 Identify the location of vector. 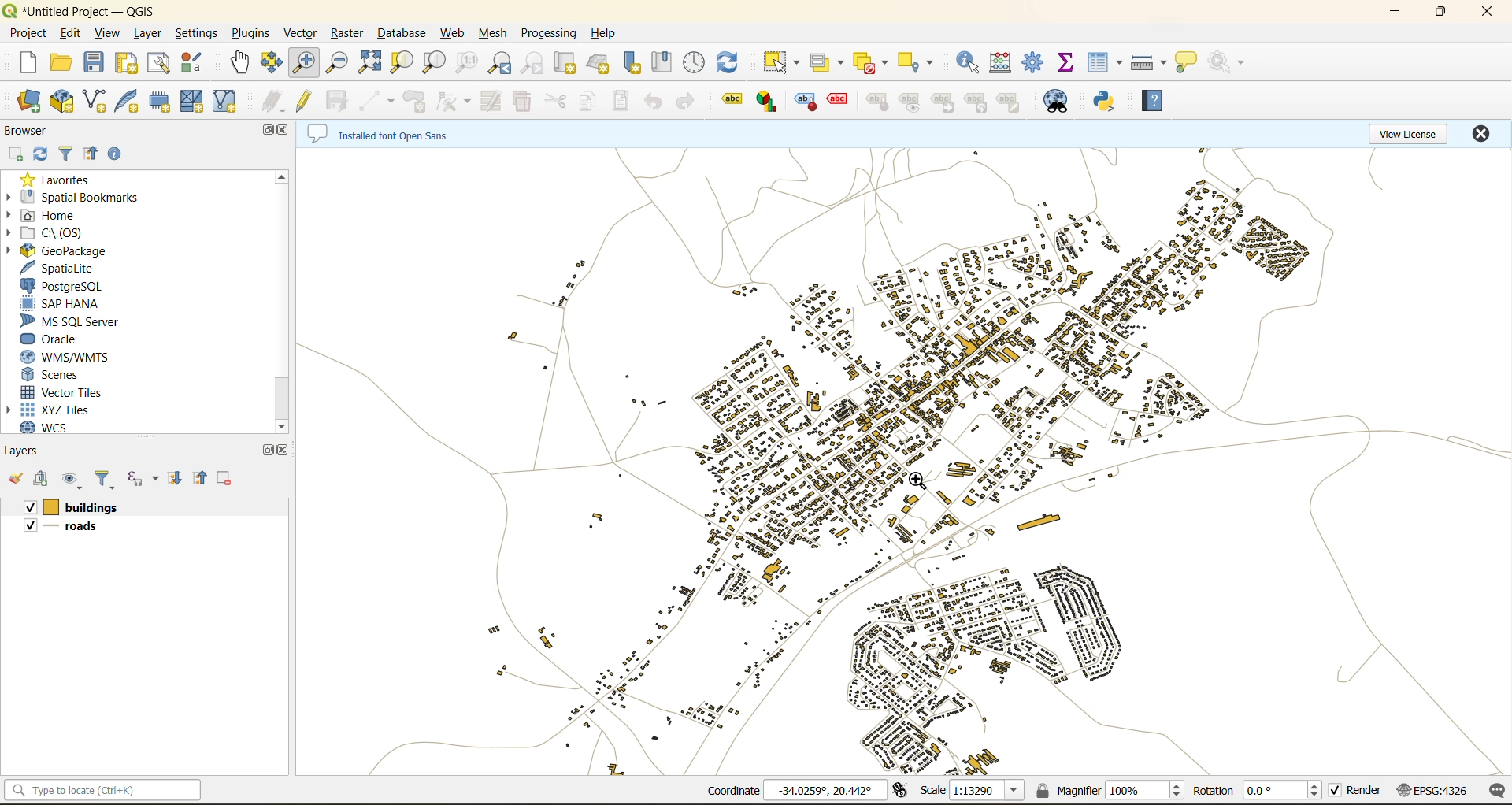
(300, 34).